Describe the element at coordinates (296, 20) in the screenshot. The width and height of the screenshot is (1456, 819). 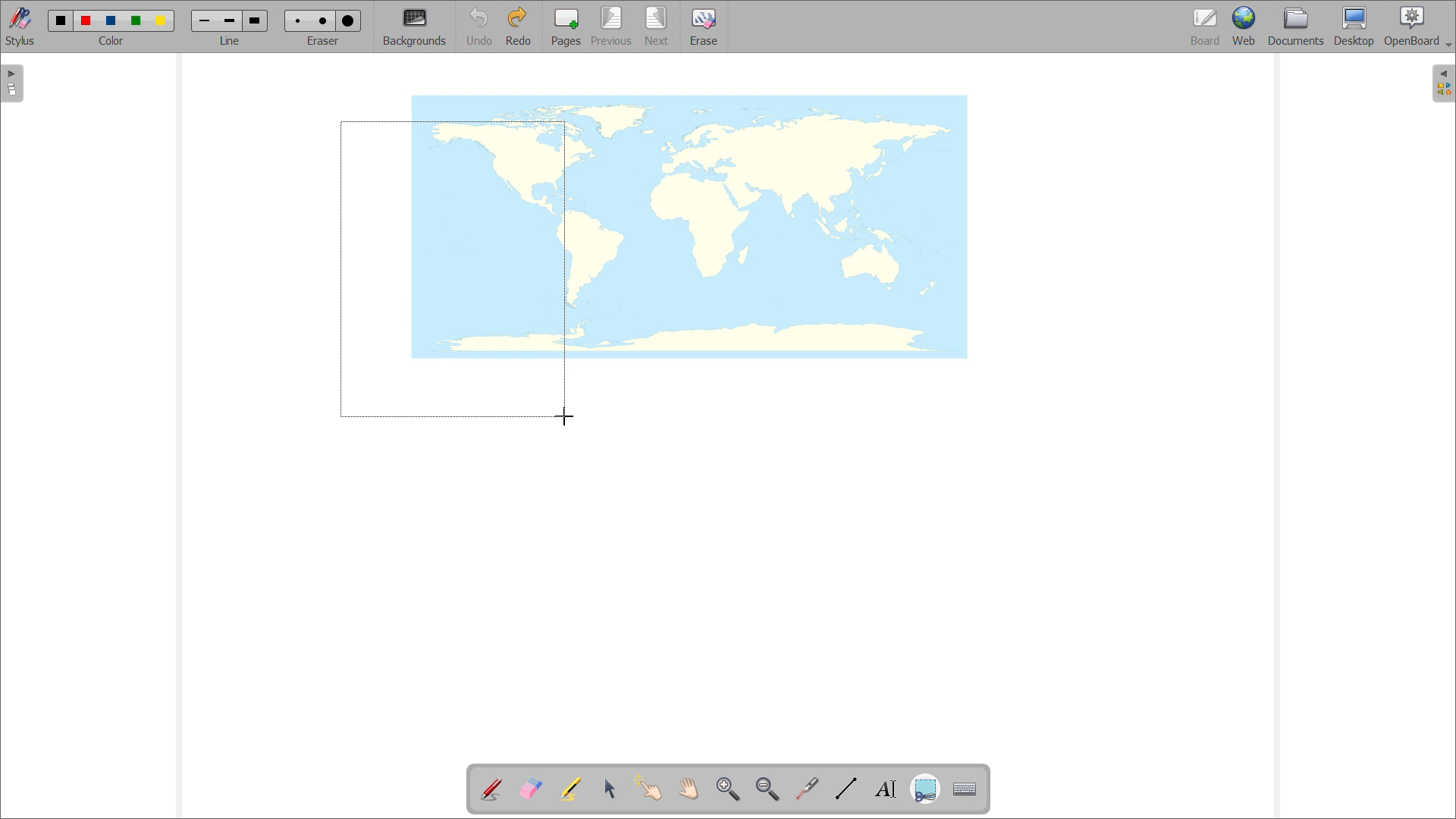
I see `small` at that location.